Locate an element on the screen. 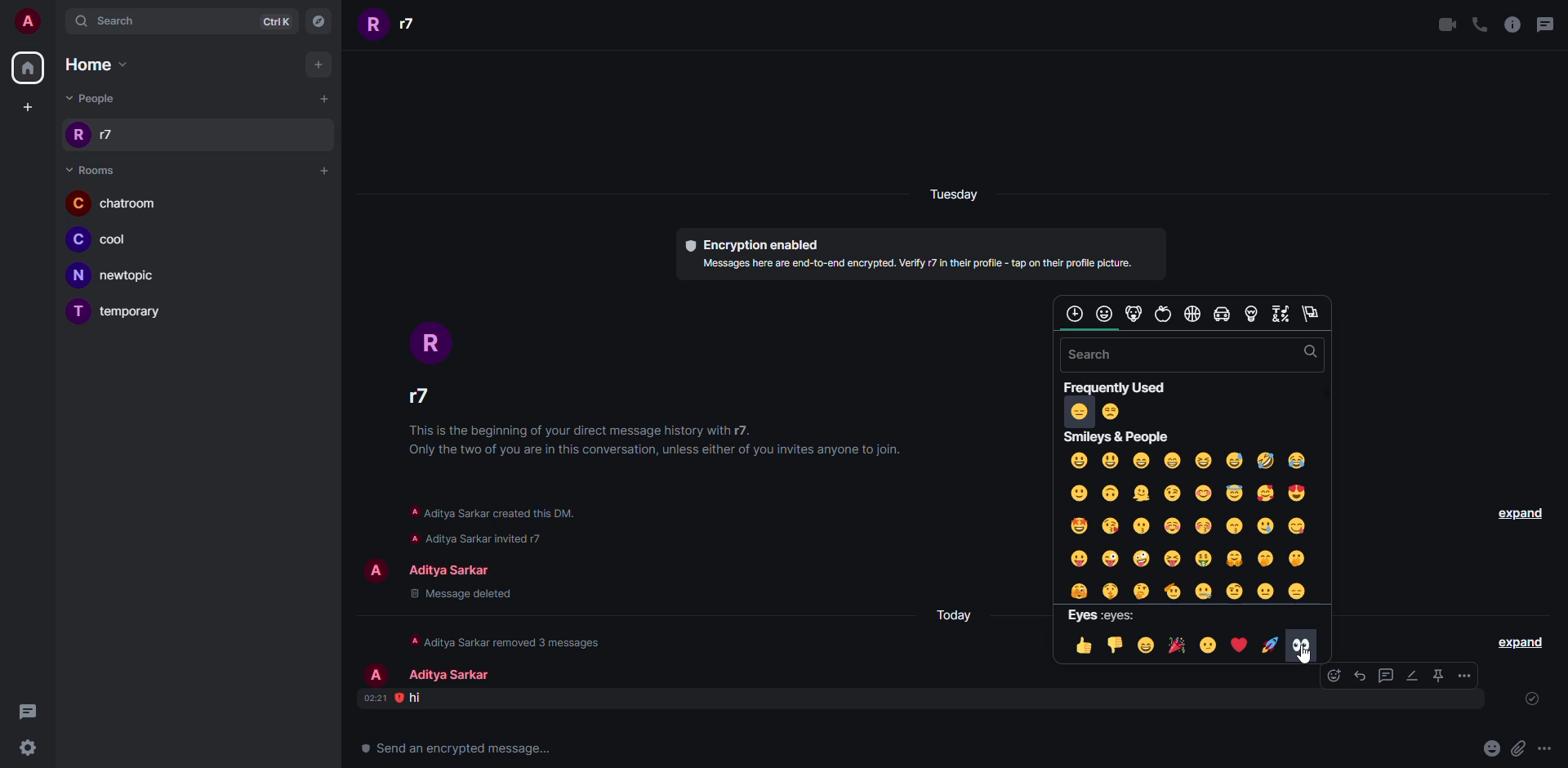 Image resolution: width=1568 pixels, height=768 pixels. voice call is located at coordinates (1479, 24).